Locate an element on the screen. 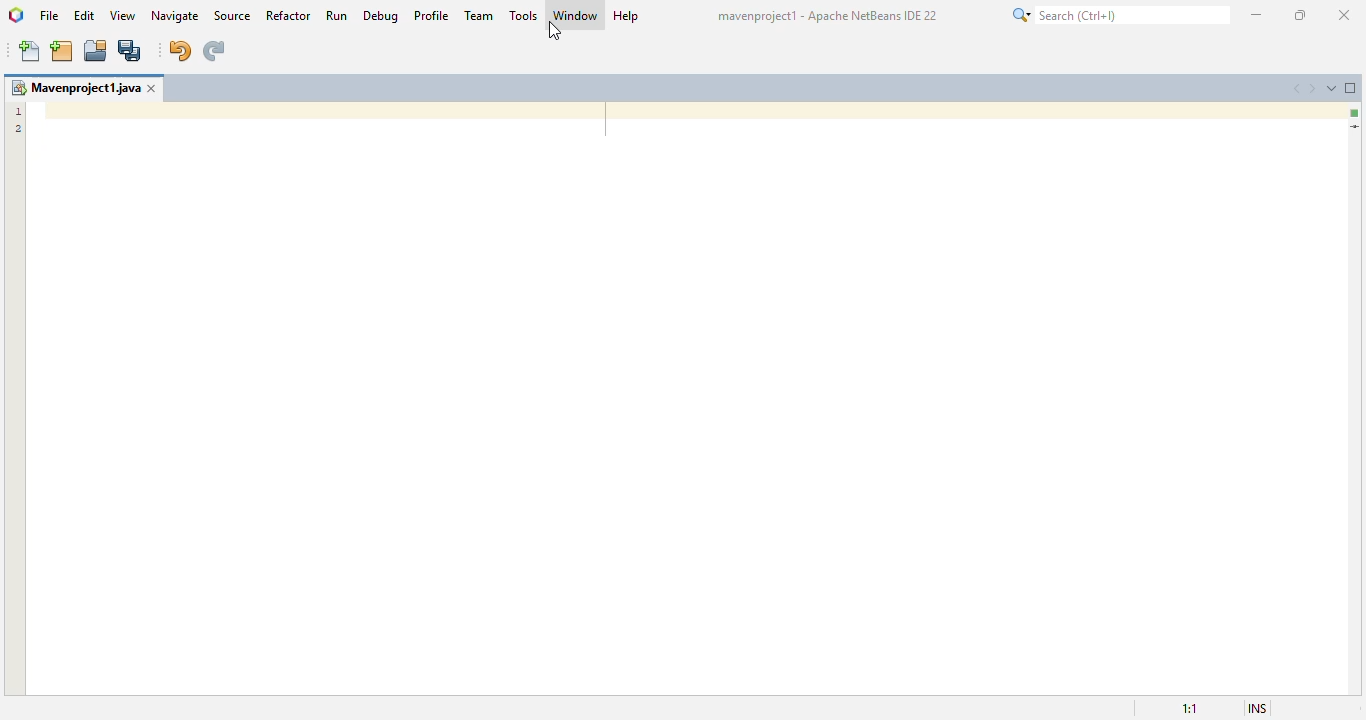  open project is located at coordinates (96, 50).